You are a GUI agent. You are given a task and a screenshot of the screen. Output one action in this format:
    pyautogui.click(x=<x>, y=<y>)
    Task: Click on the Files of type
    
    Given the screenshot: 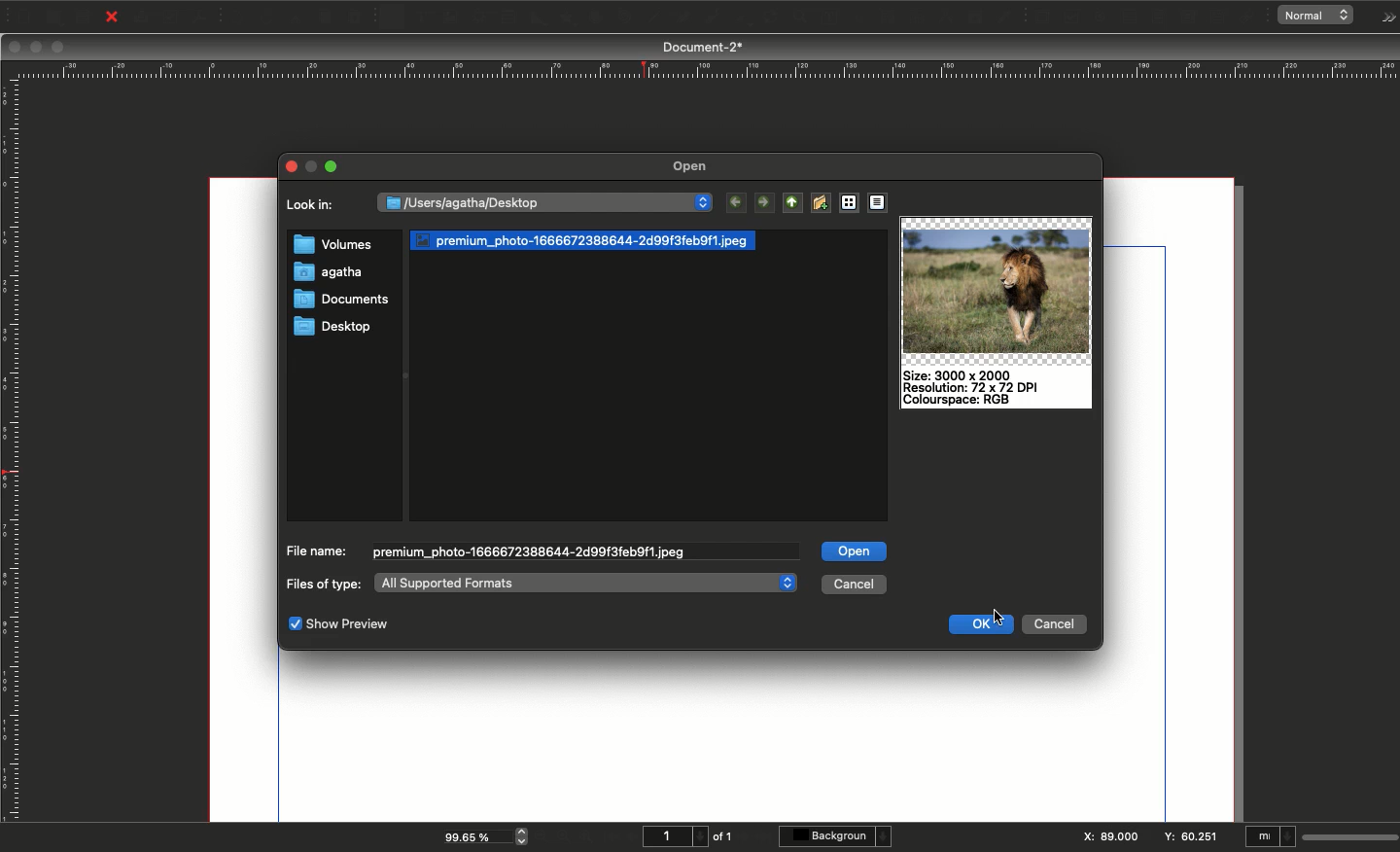 What is the action you would take?
    pyautogui.click(x=324, y=585)
    